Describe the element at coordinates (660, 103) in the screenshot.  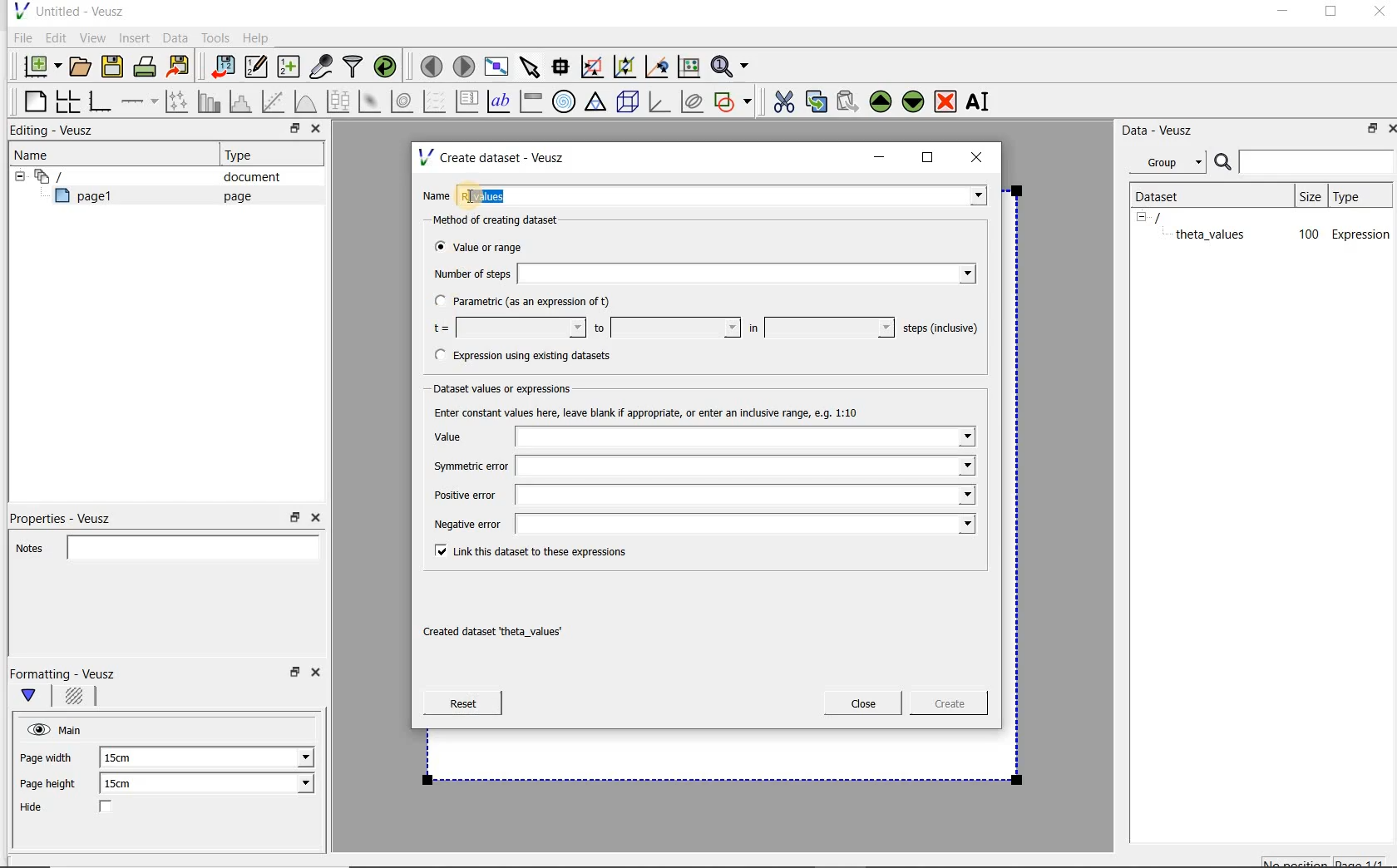
I see `3d graph` at that location.